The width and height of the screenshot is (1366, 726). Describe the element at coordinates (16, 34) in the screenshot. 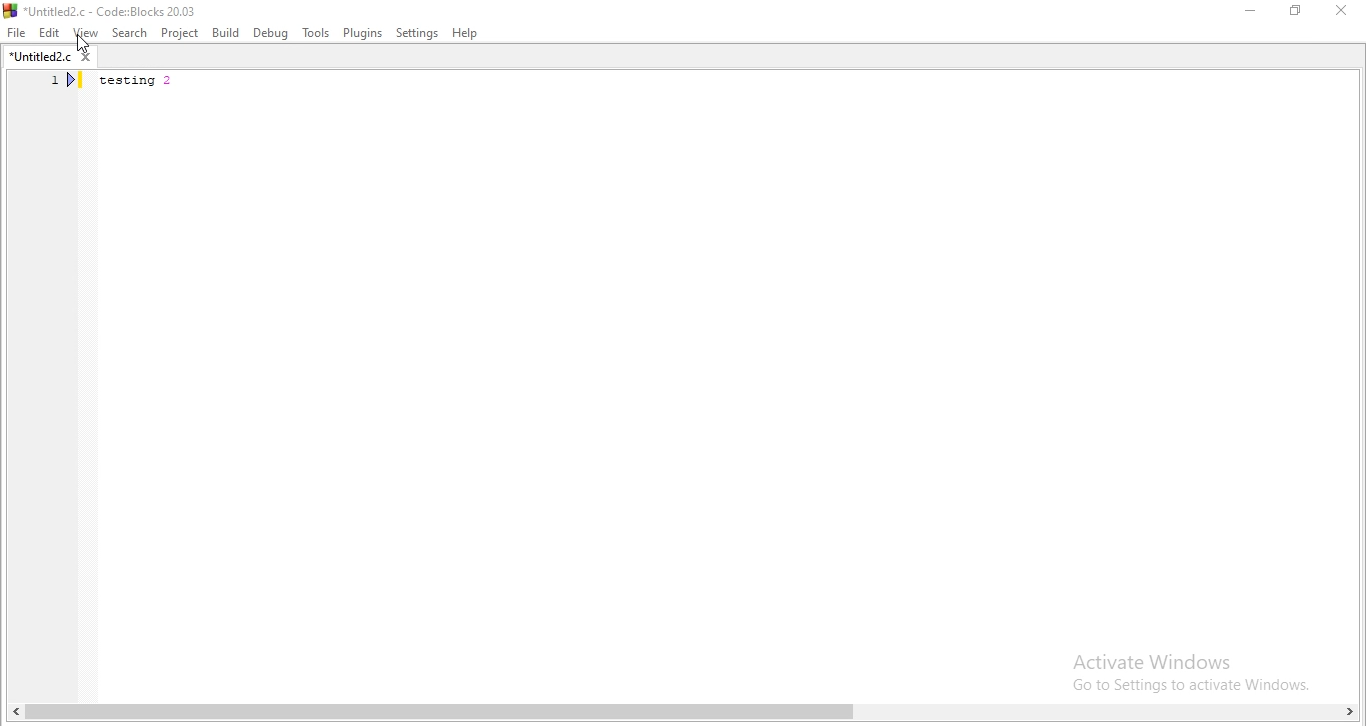

I see `file` at that location.